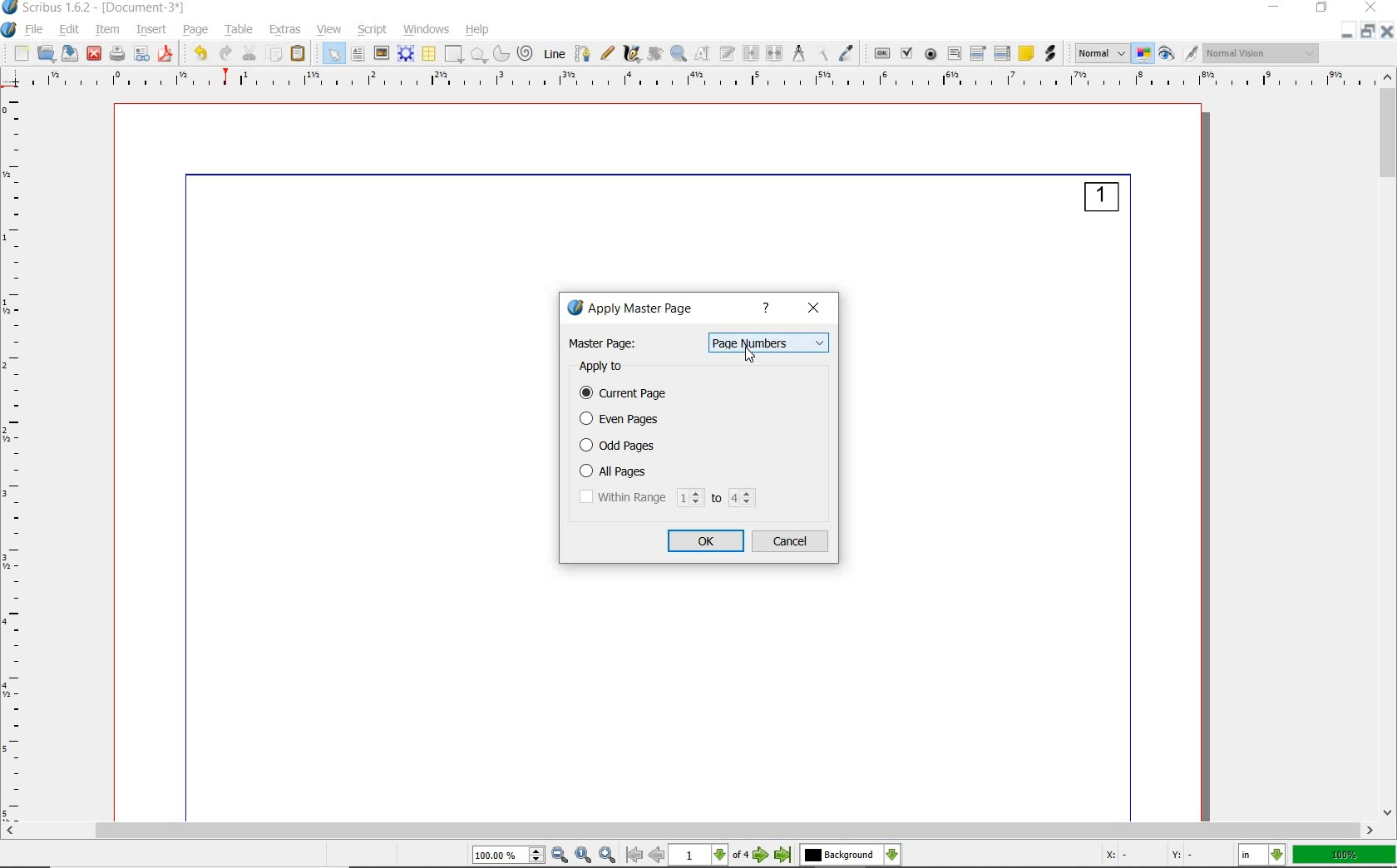 The image size is (1397, 868). Describe the element at coordinates (165, 55) in the screenshot. I see `save as pdf` at that location.